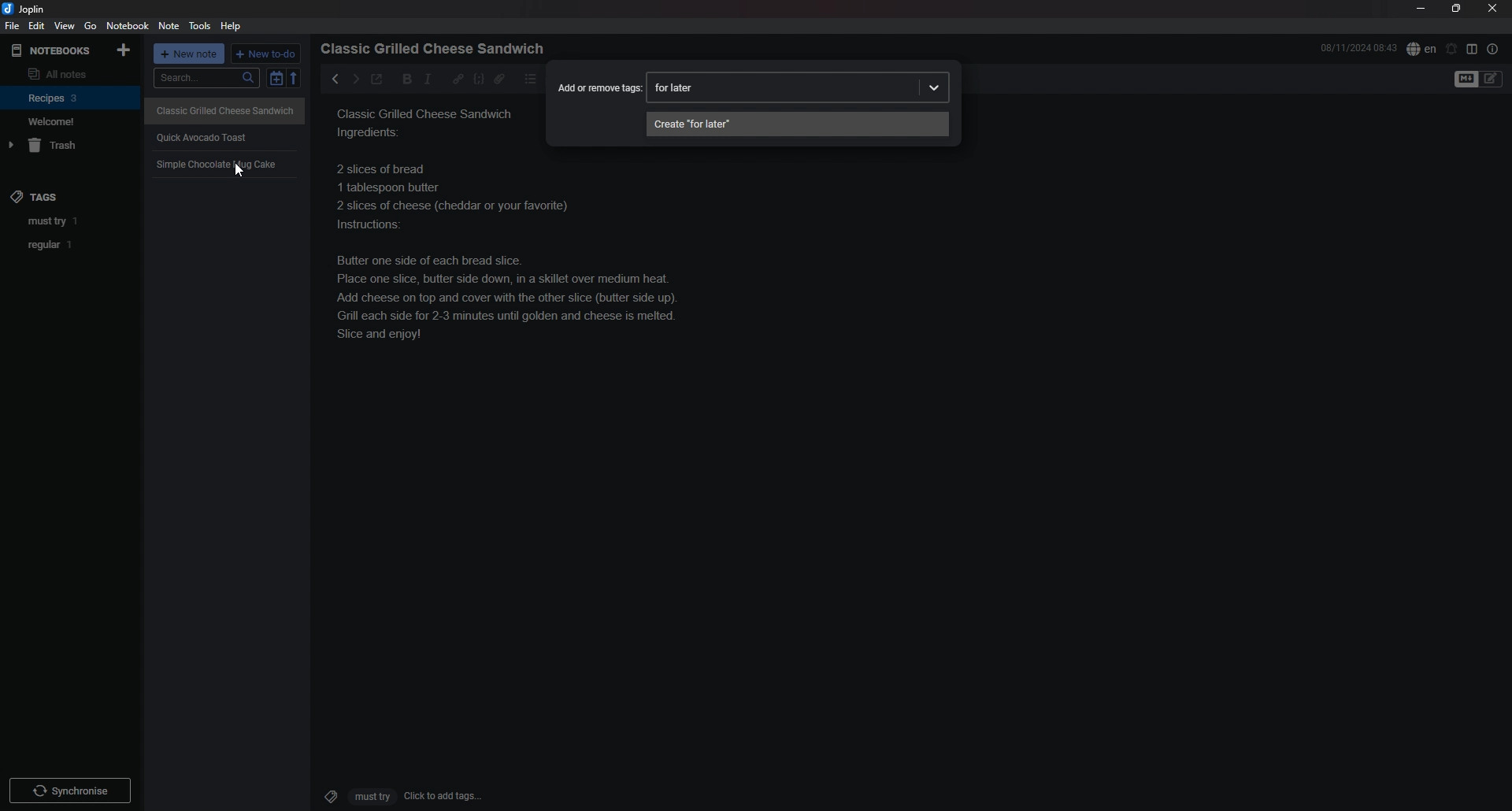 This screenshot has height=811, width=1512. Describe the element at coordinates (226, 109) in the screenshot. I see `Classic Grilled Cheese Sandwich` at that location.